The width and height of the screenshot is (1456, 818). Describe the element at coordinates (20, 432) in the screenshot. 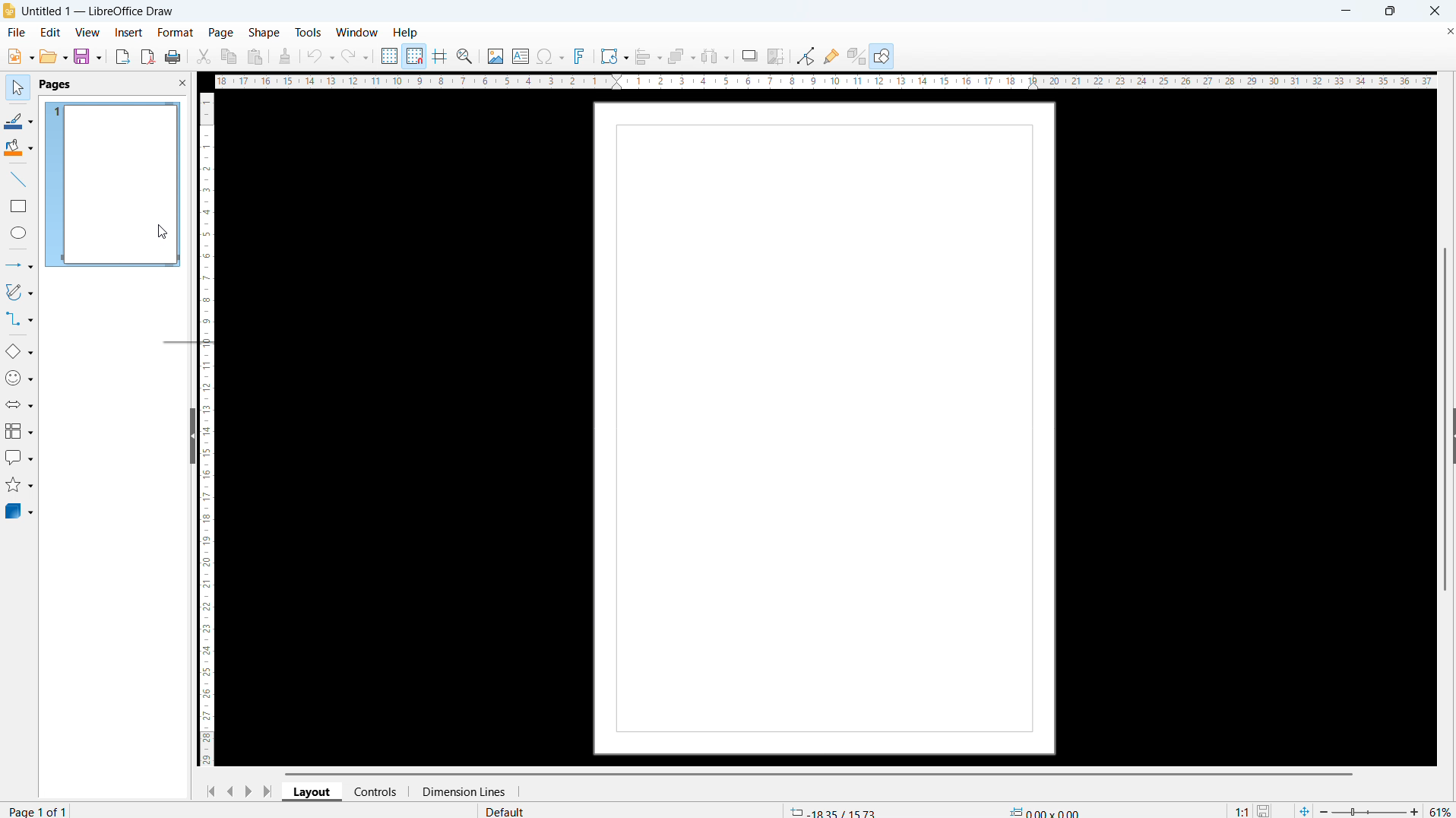

I see `flowchart` at that location.